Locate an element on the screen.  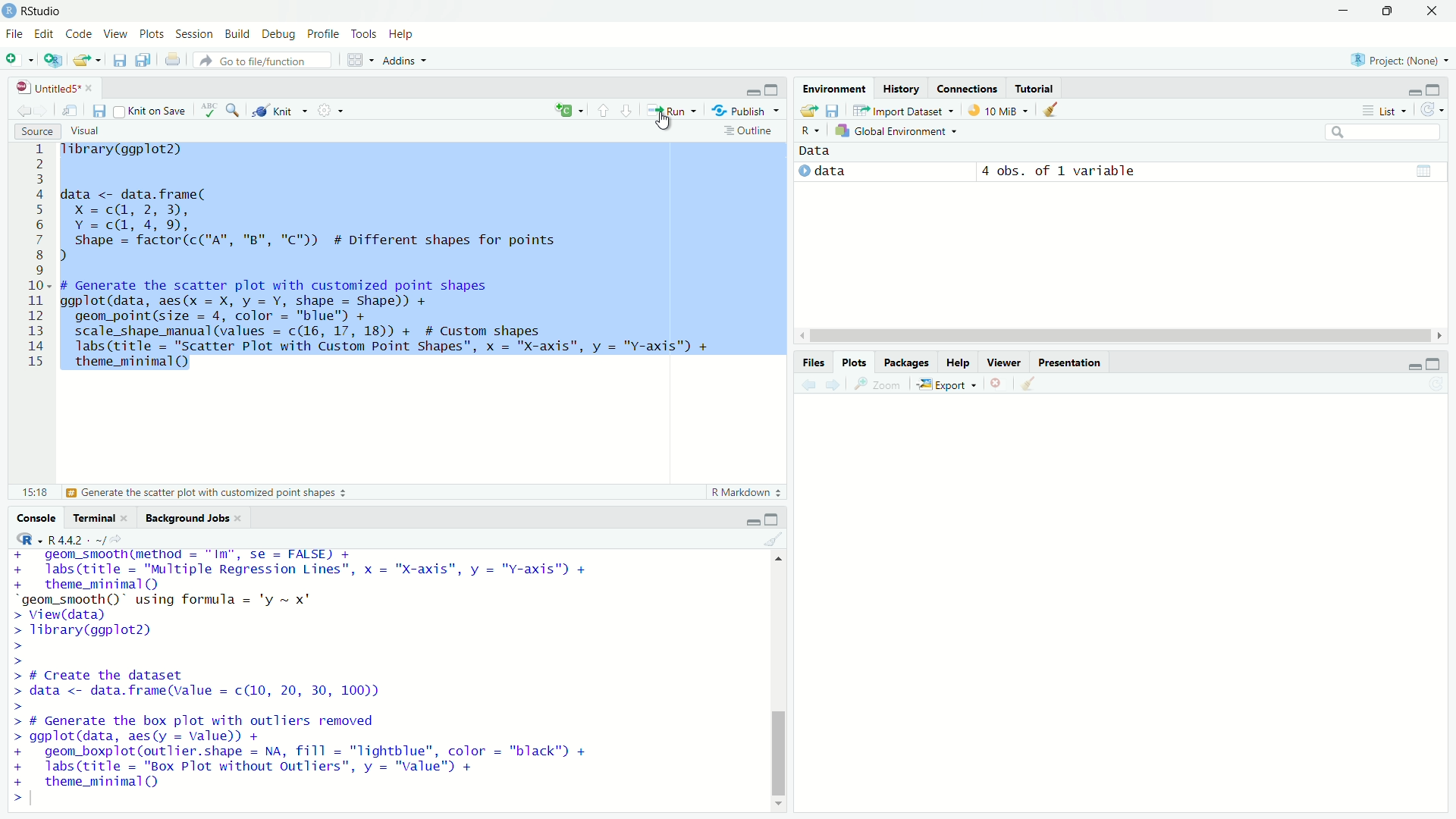
vertical scroll bar is located at coordinates (779, 682).